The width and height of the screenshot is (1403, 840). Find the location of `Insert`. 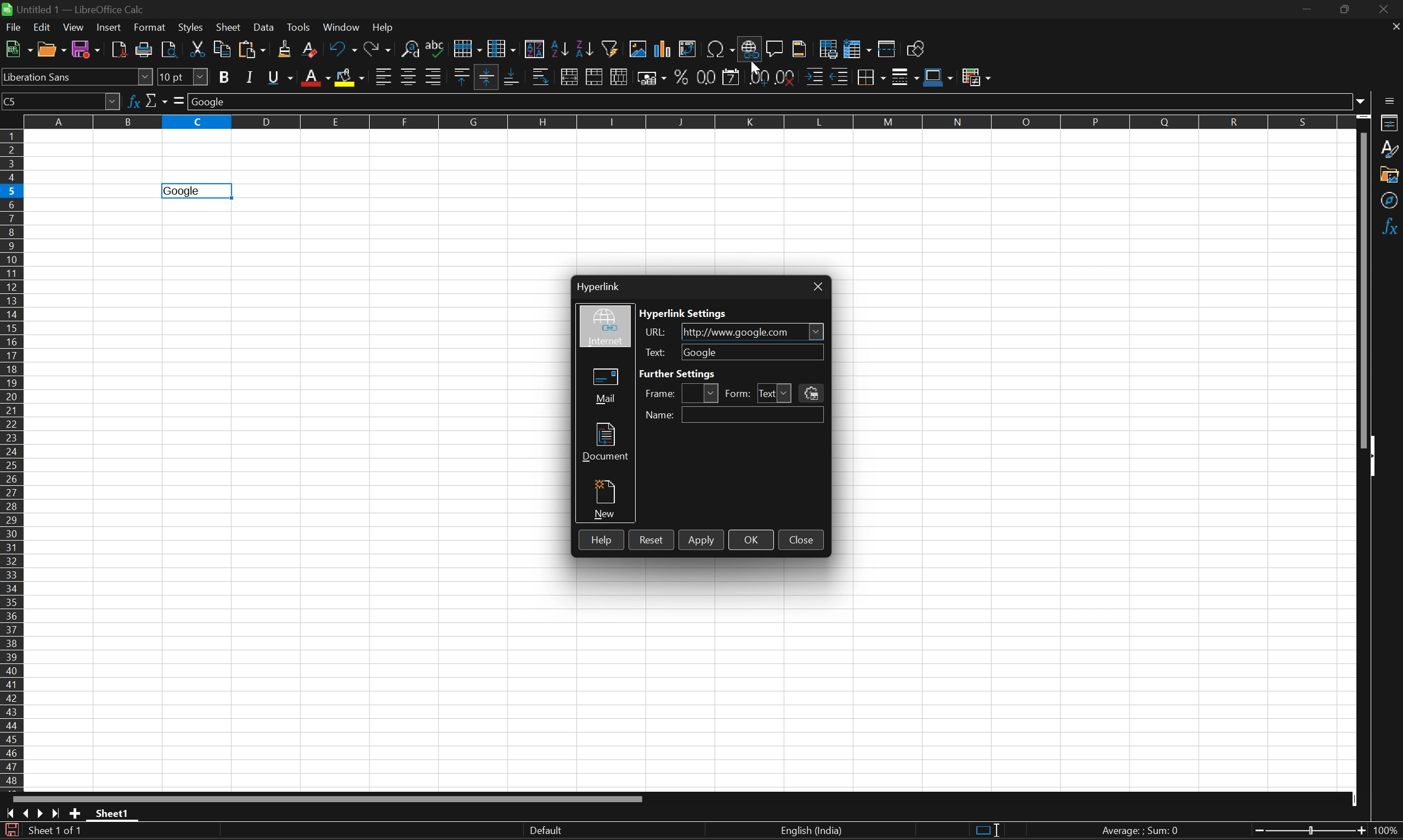

Insert is located at coordinates (110, 27).